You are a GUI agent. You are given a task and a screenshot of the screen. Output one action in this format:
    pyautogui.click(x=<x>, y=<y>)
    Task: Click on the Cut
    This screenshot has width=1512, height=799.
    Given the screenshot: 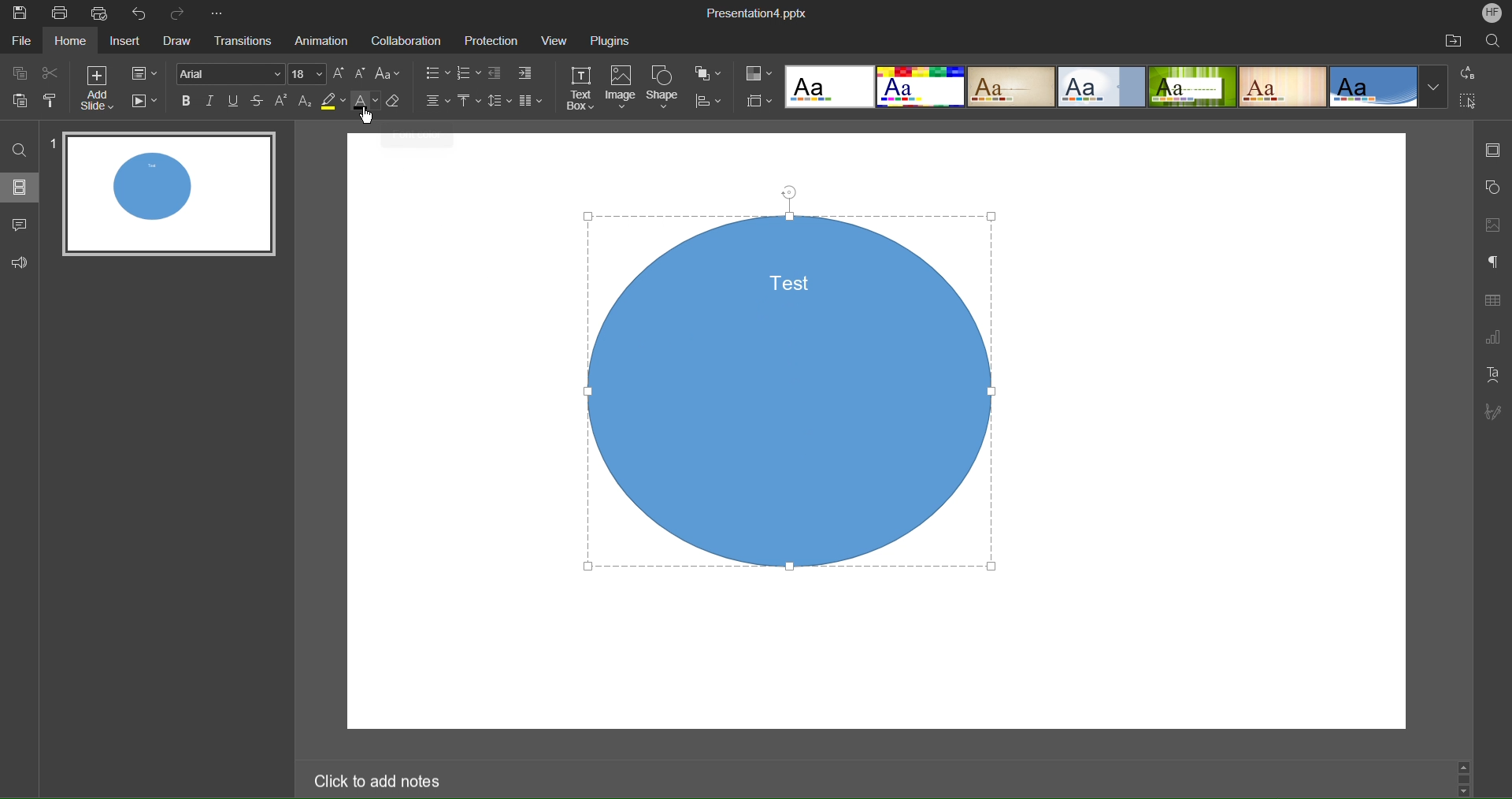 What is the action you would take?
    pyautogui.click(x=54, y=76)
    